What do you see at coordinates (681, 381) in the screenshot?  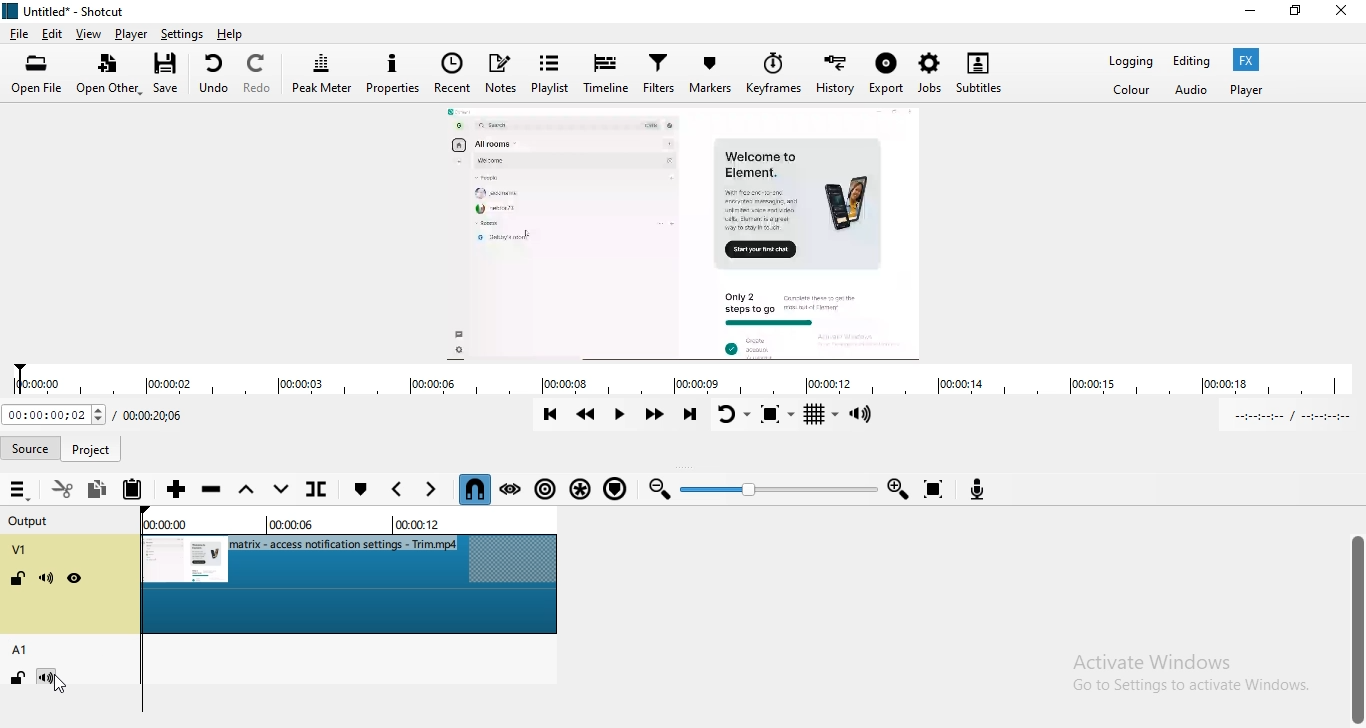 I see `timeline` at bounding box center [681, 381].